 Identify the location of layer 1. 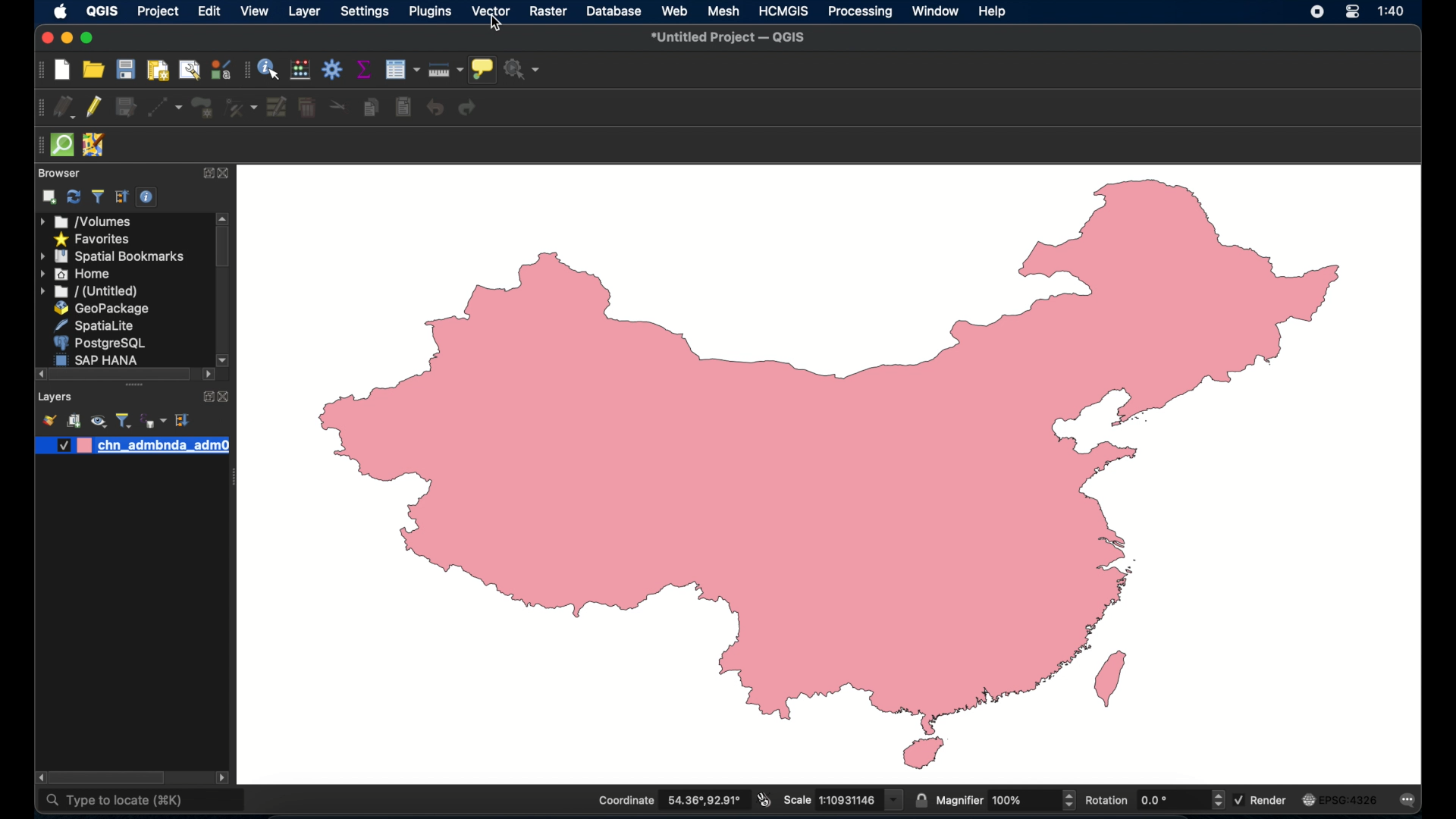
(133, 446).